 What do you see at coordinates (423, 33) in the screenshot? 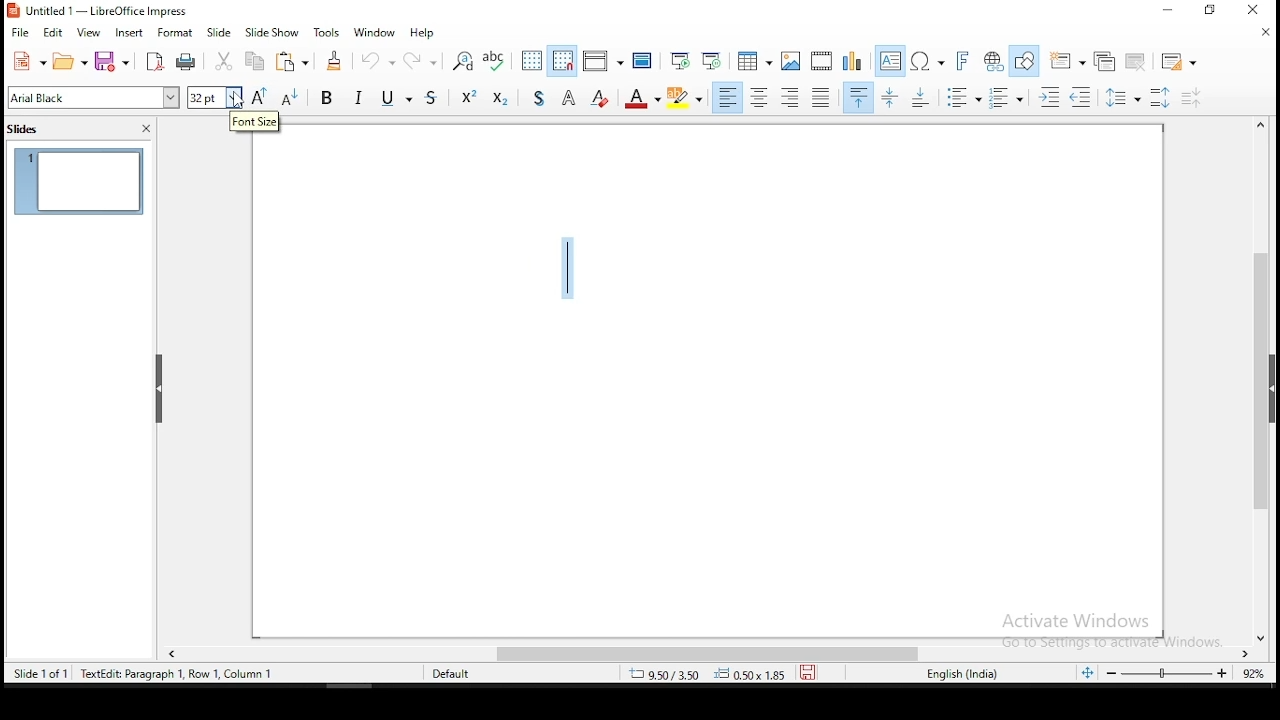
I see `help` at bounding box center [423, 33].